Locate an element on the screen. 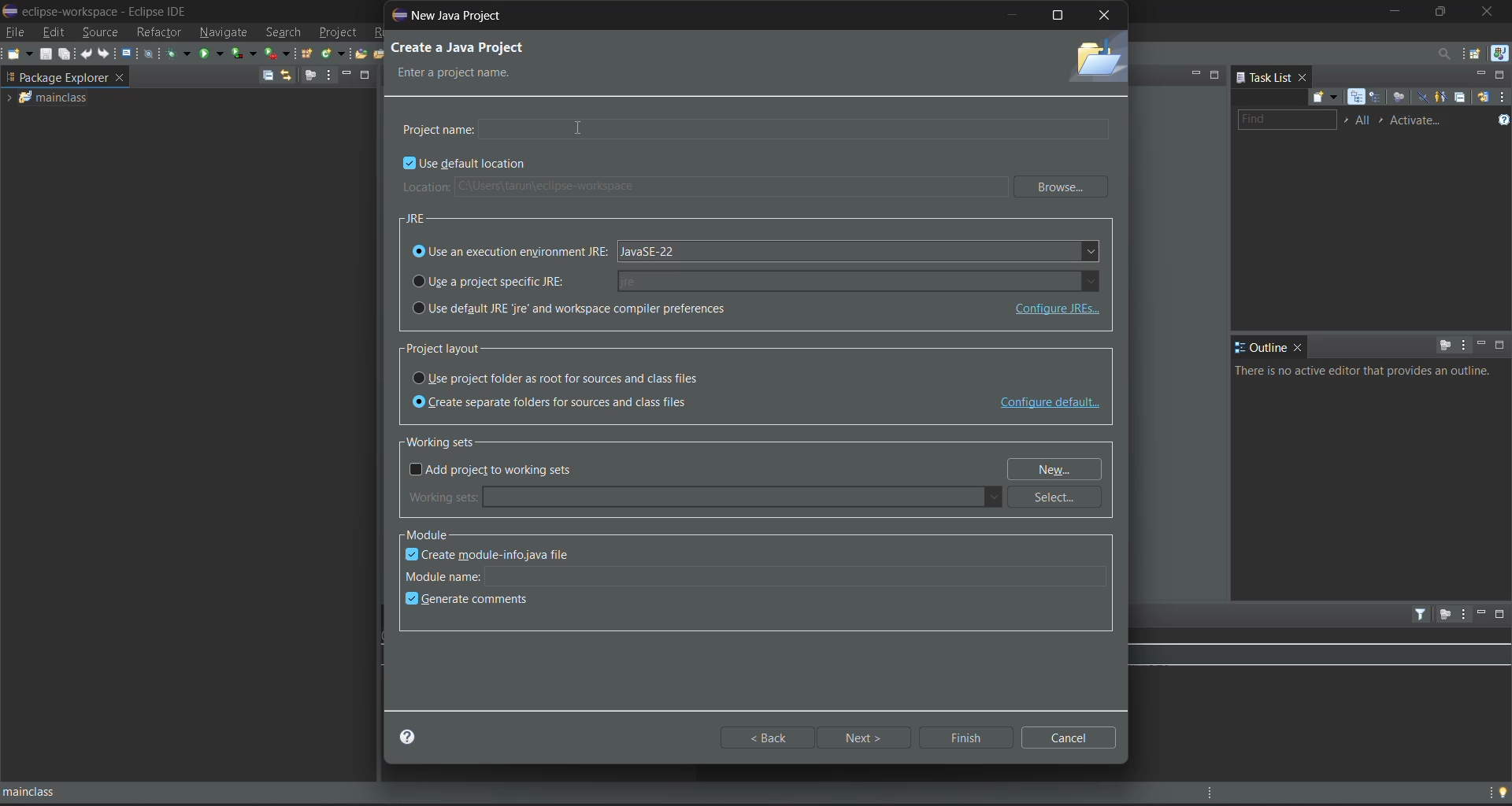 This screenshot has height=806, width=1512. run is located at coordinates (212, 54).